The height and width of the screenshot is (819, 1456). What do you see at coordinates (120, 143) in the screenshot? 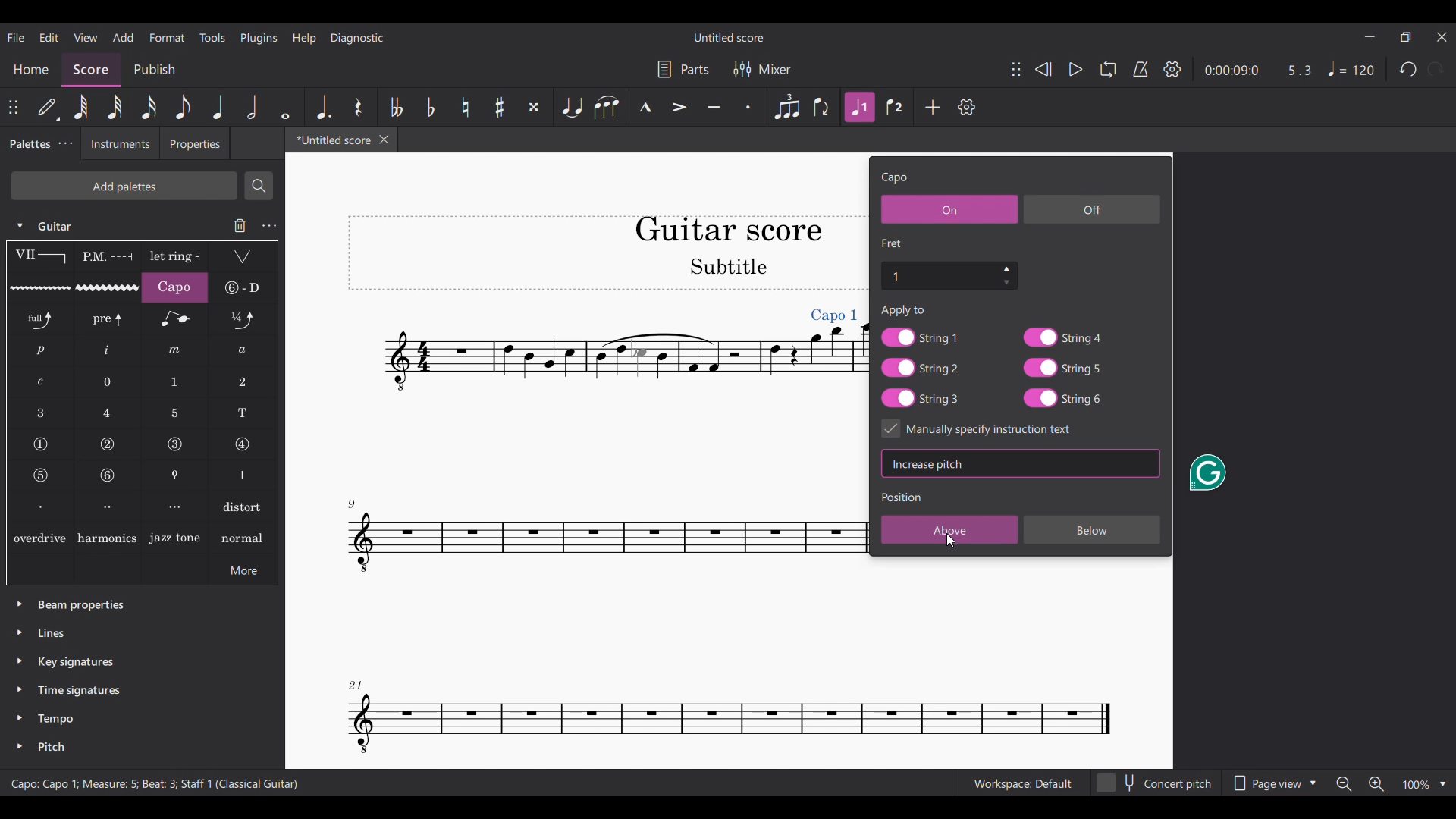
I see `Instruments tab` at bounding box center [120, 143].